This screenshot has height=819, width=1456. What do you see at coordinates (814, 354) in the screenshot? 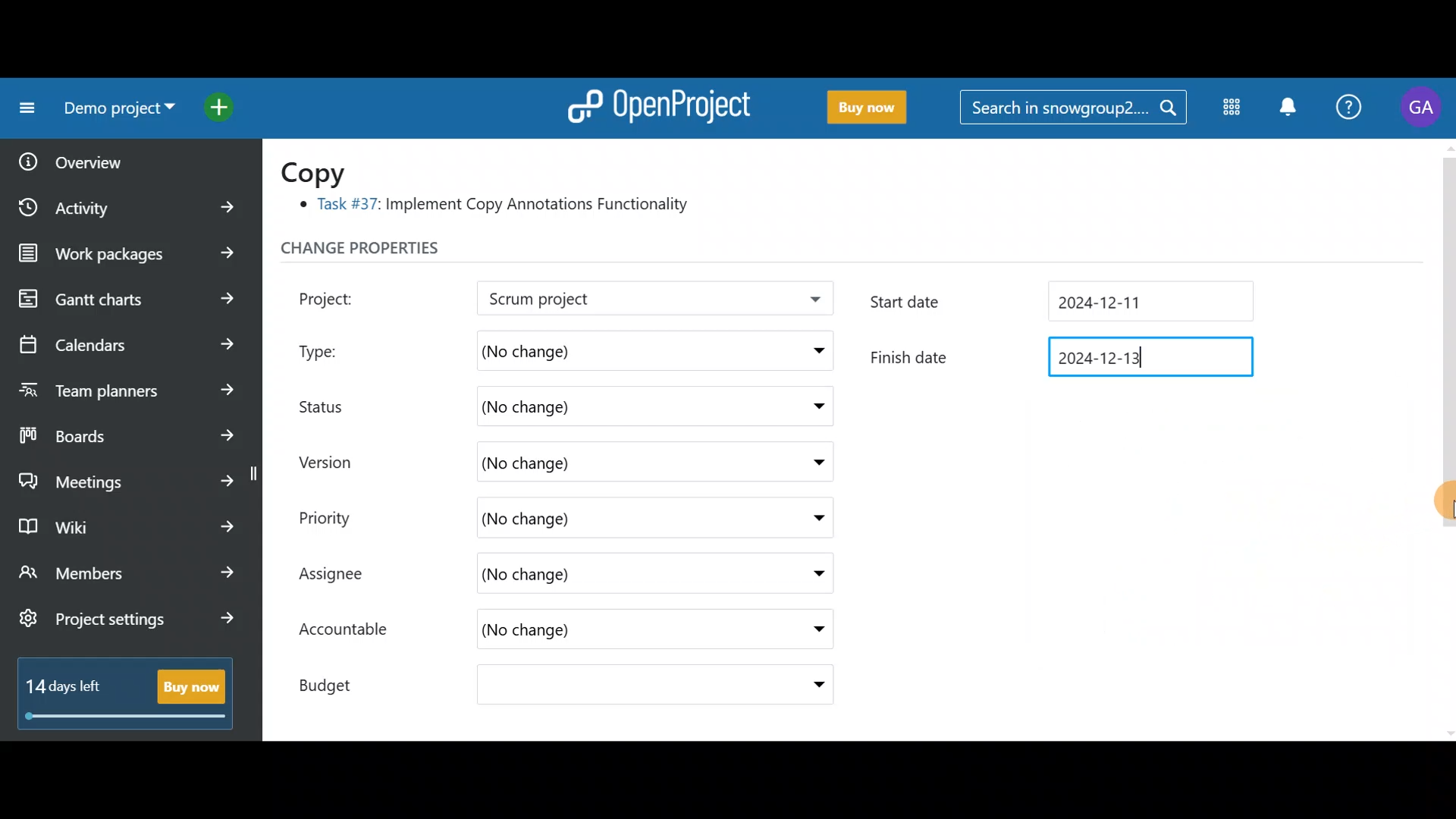
I see `Type drop down` at bounding box center [814, 354].